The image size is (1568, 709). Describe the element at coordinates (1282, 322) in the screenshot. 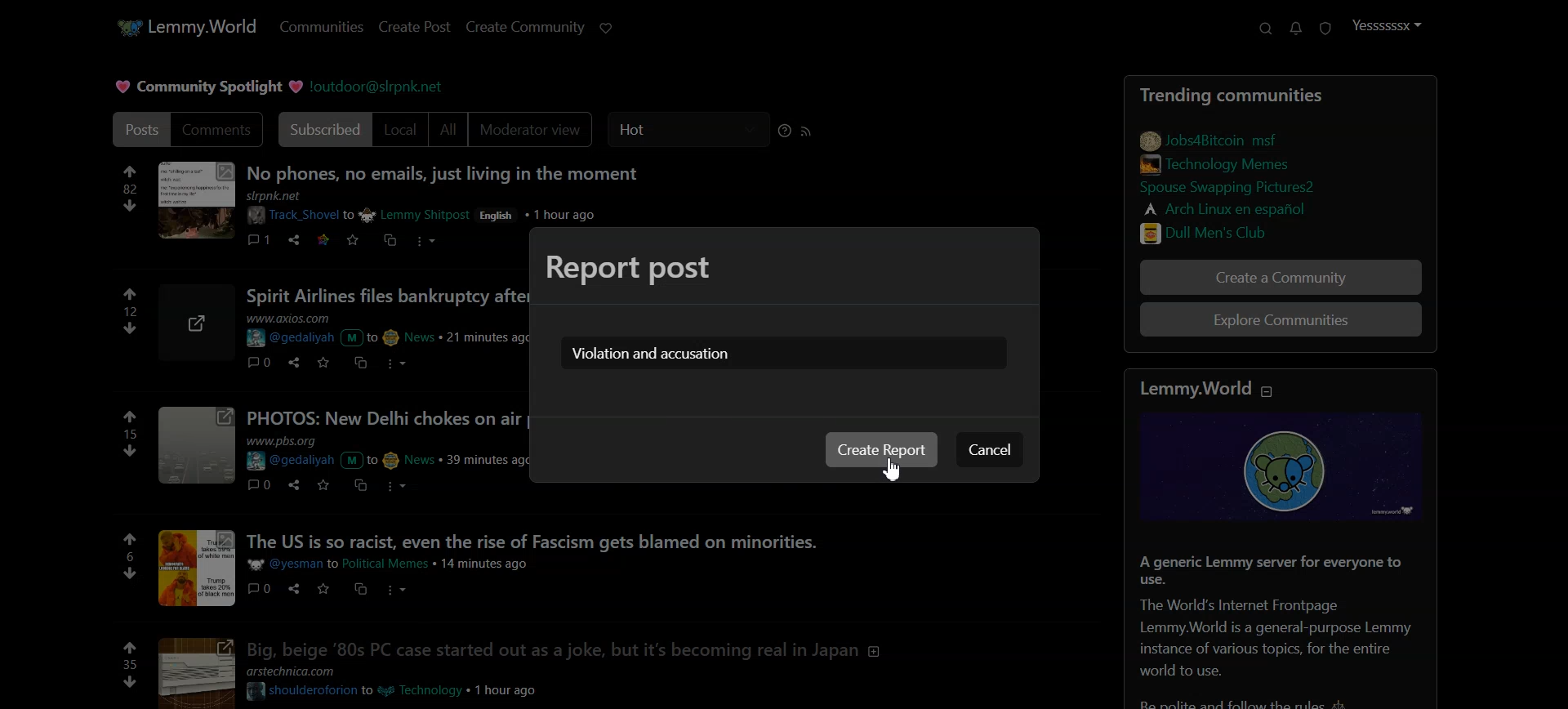

I see `Explore Communities` at that location.